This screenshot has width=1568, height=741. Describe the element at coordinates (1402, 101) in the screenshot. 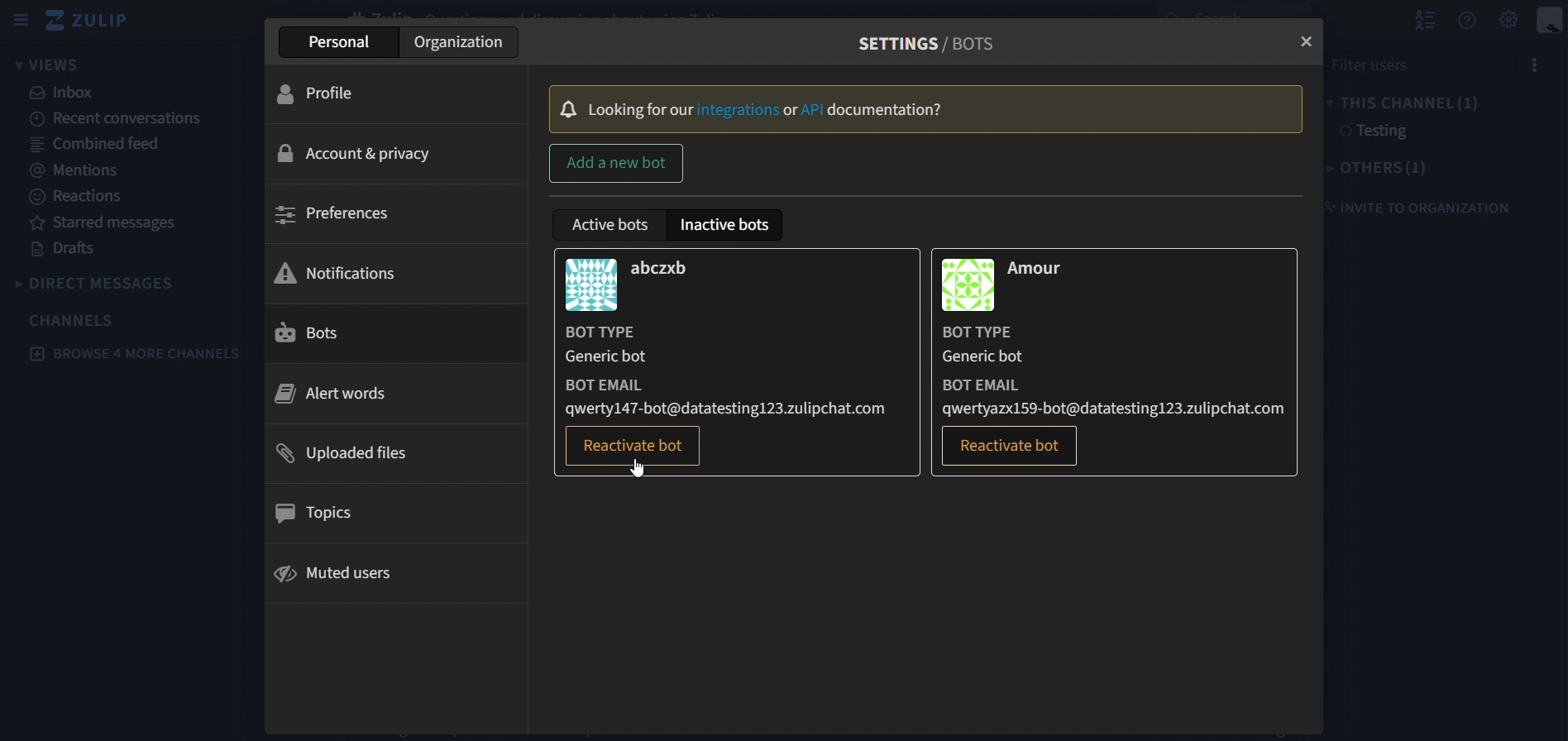

I see `this channel` at that location.